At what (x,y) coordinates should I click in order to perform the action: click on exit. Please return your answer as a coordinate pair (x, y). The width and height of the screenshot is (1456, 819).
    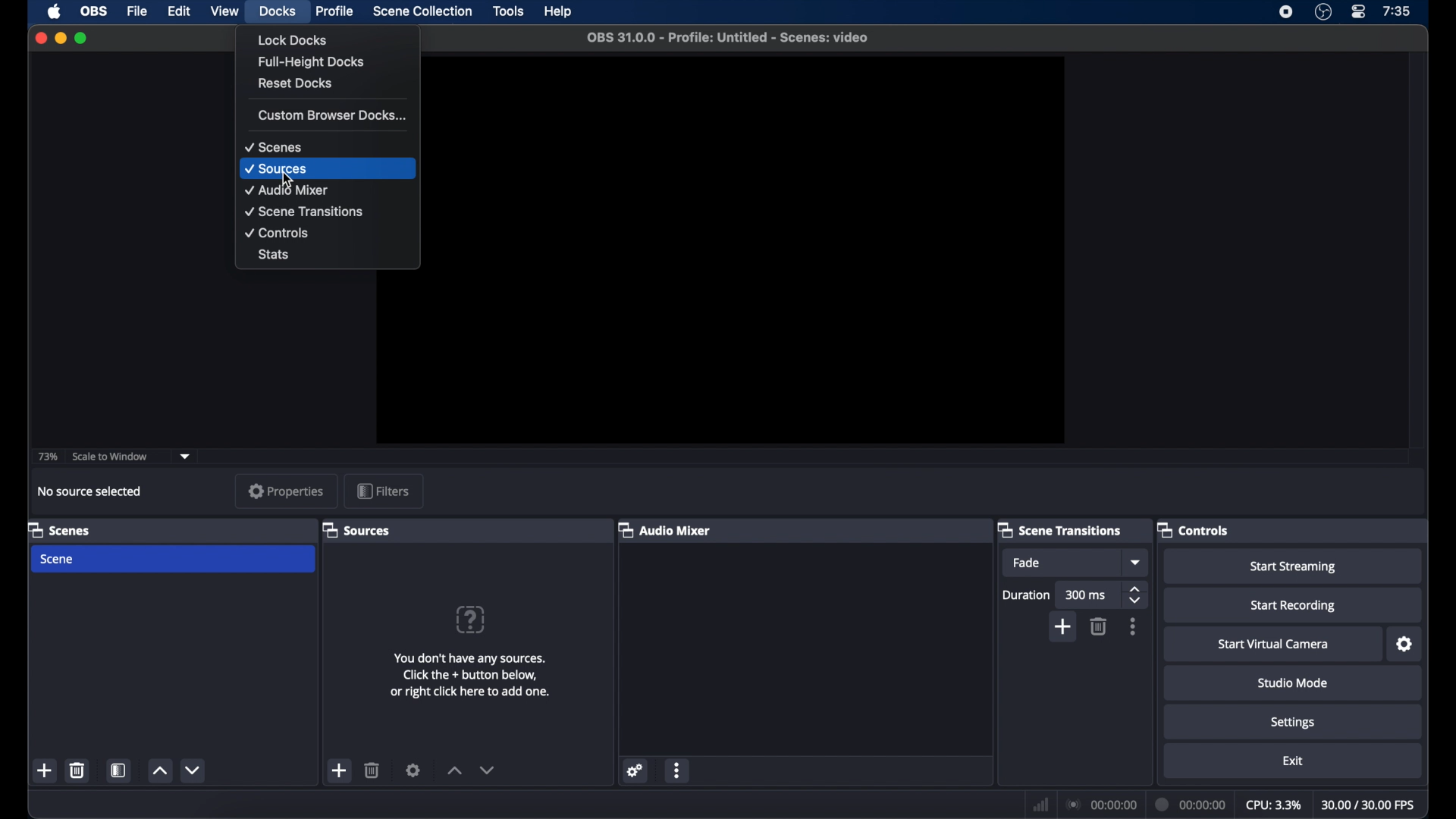
    Looking at the image, I should click on (1292, 761).